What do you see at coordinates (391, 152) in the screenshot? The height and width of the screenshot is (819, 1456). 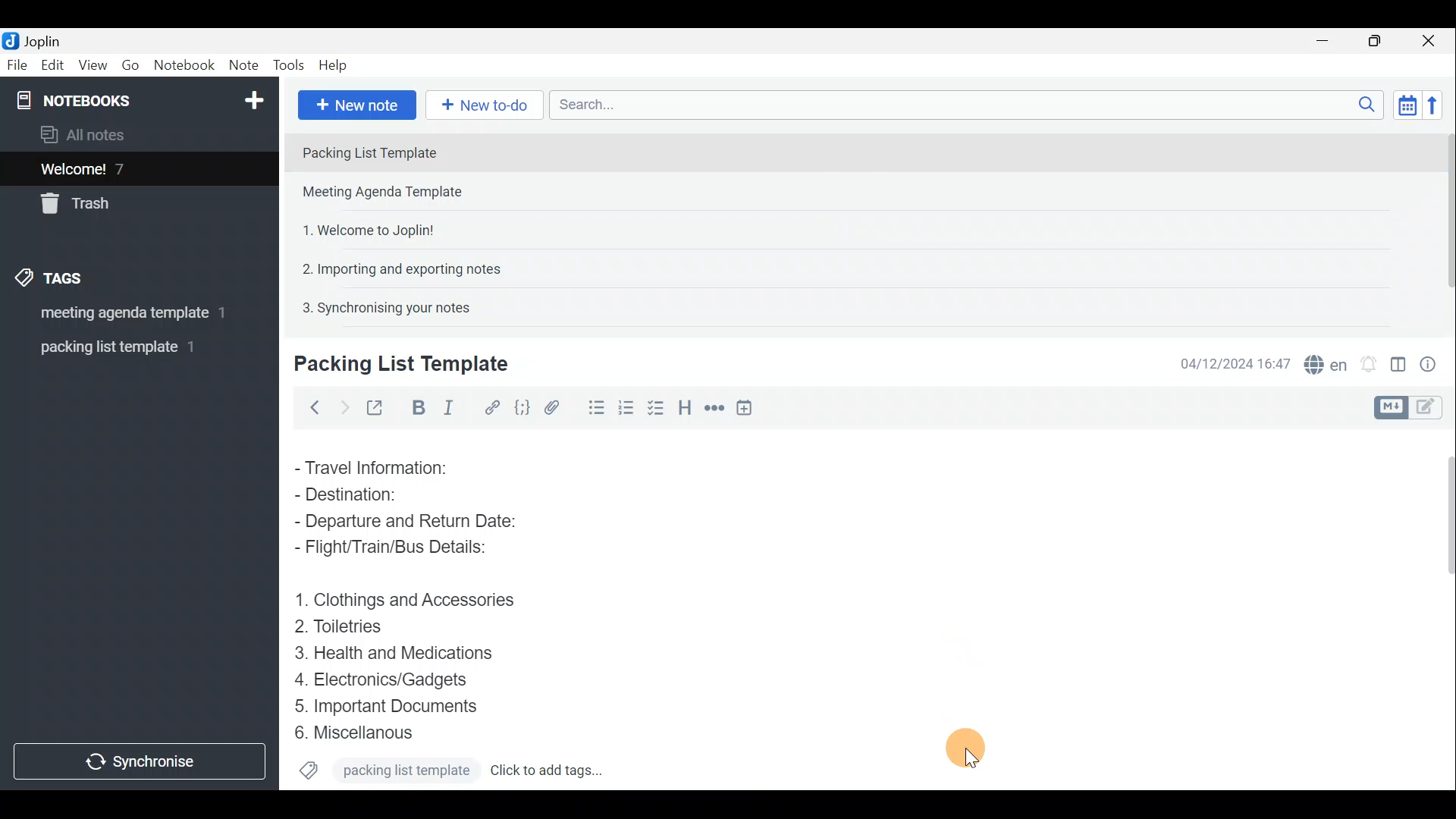 I see `Packing List Template` at bounding box center [391, 152].